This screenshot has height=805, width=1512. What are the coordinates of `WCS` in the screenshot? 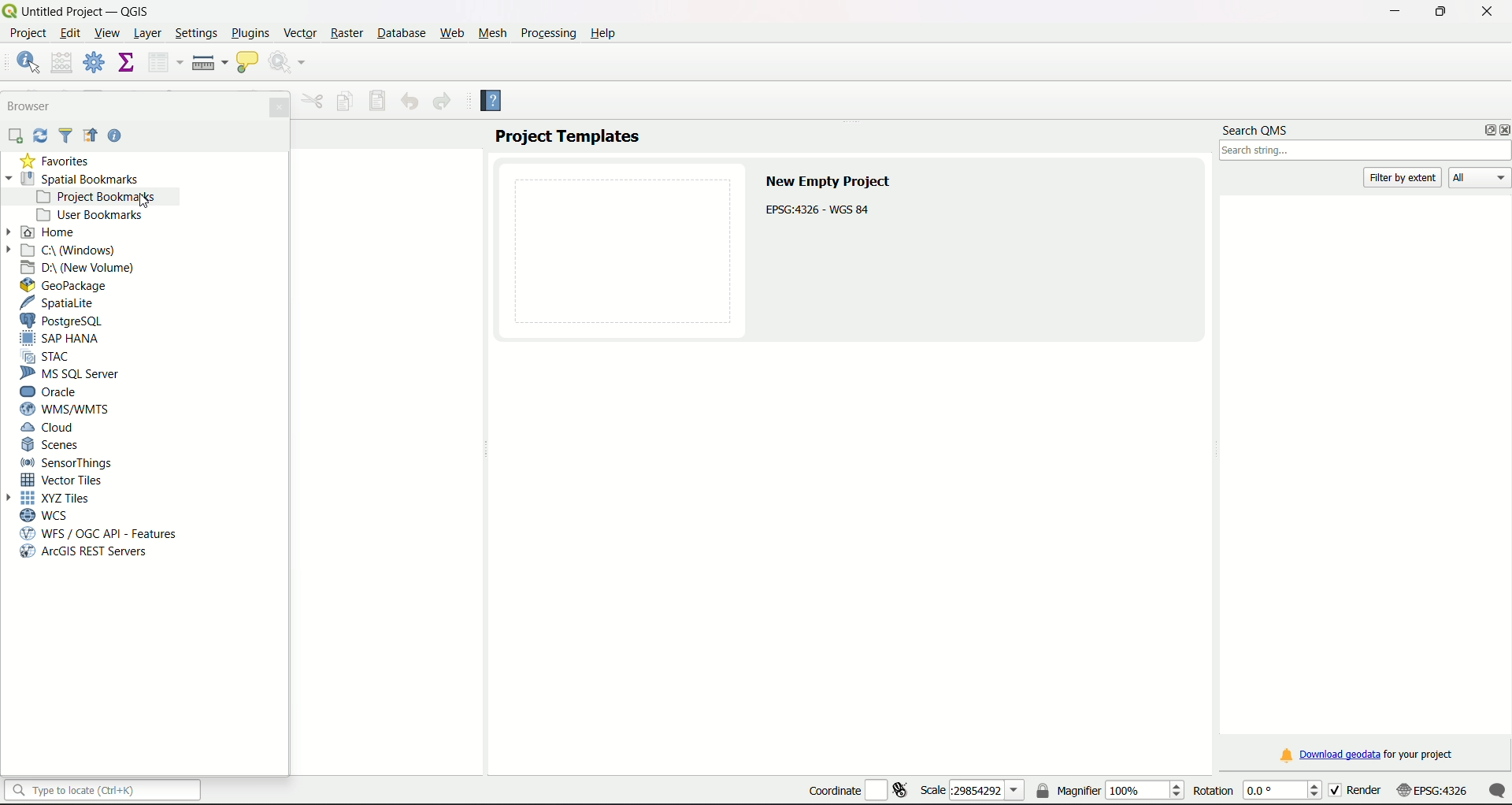 It's located at (50, 516).